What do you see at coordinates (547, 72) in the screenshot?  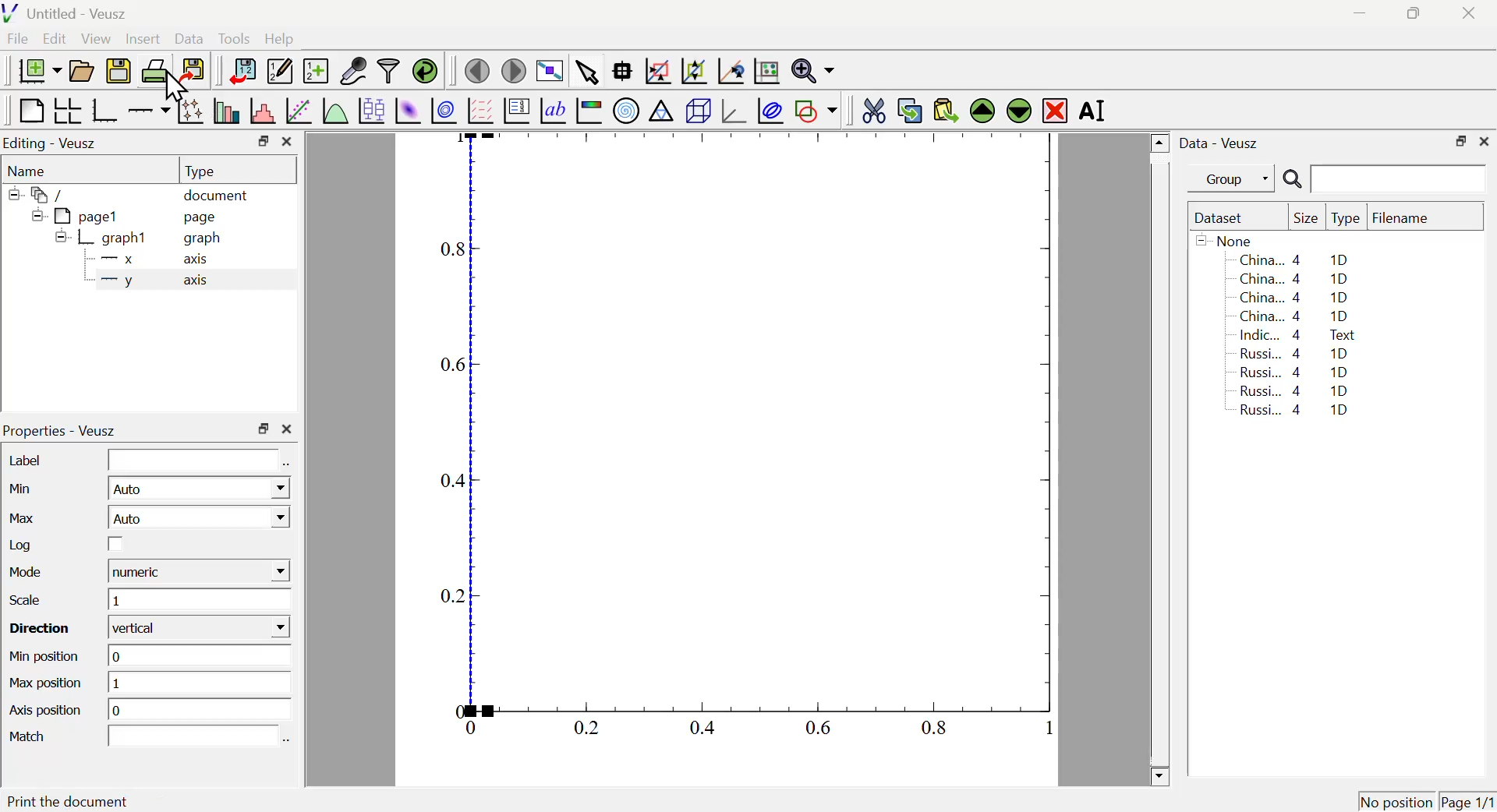 I see `View plot fullscreen` at bounding box center [547, 72].